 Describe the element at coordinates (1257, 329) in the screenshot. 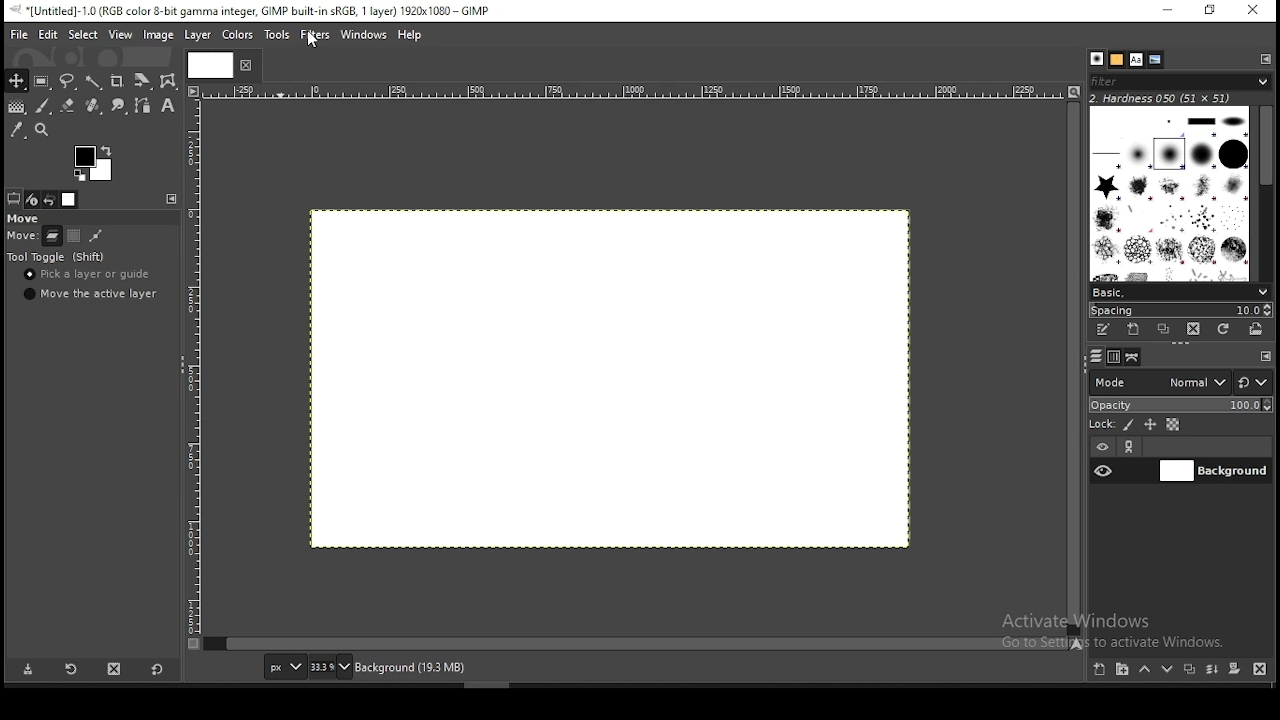

I see `open brush as image` at that location.